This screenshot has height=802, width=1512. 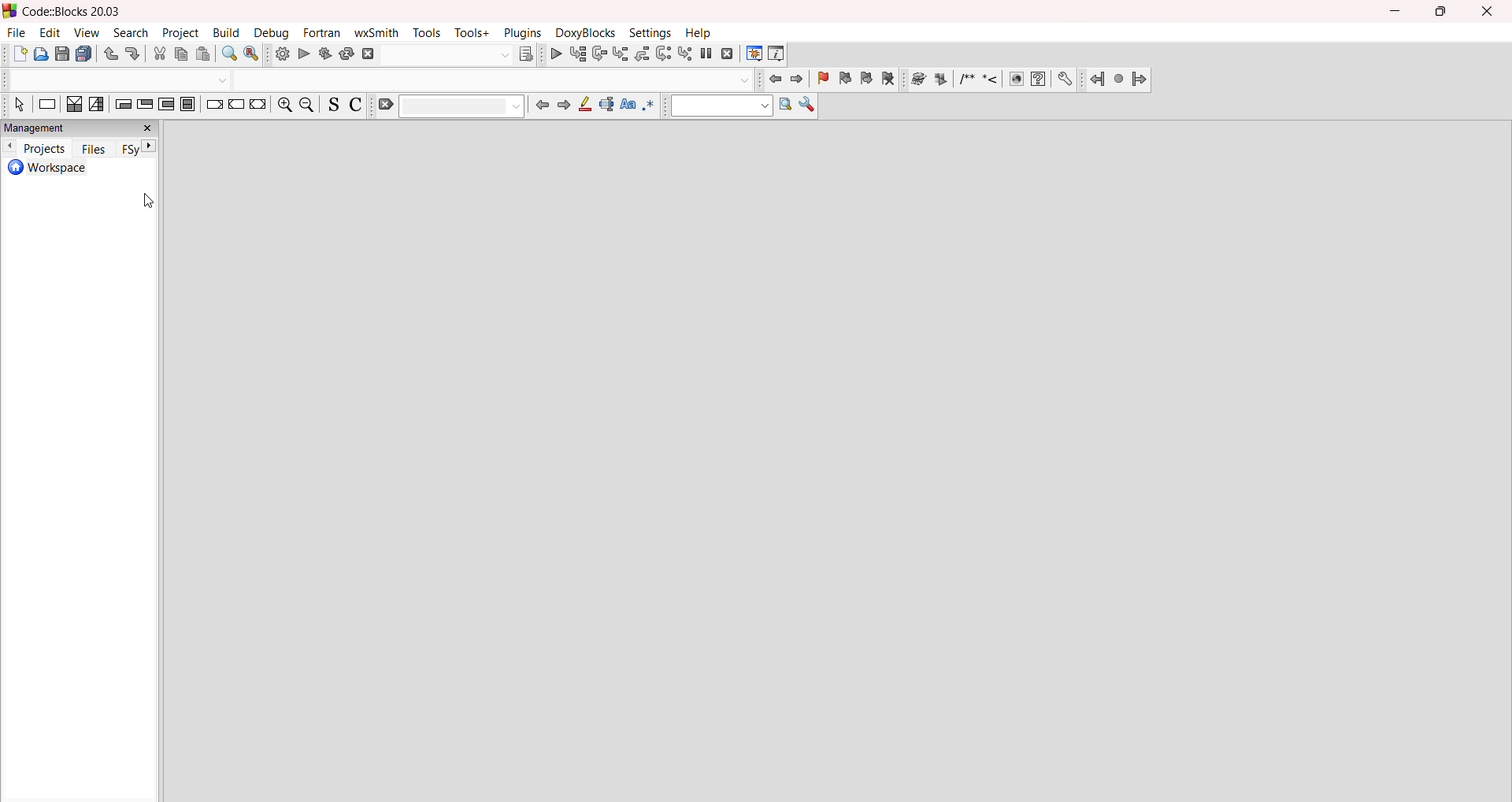 What do you see at coordinates (212, 106) in the screenshot?
I see `break instruction` at bounding box center [212, 106].